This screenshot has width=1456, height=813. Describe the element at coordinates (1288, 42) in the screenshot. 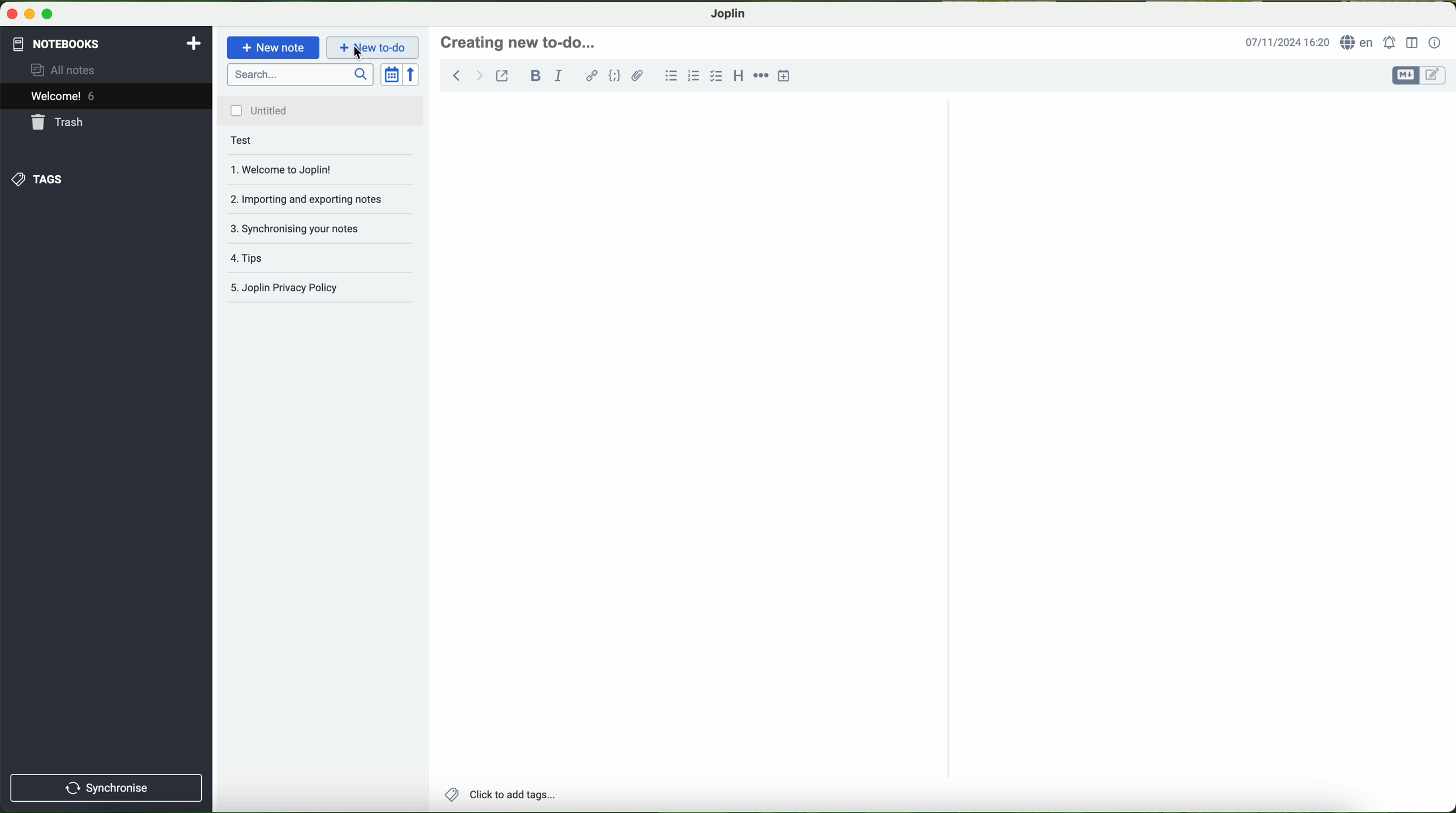

I see `date and hour` at that location.